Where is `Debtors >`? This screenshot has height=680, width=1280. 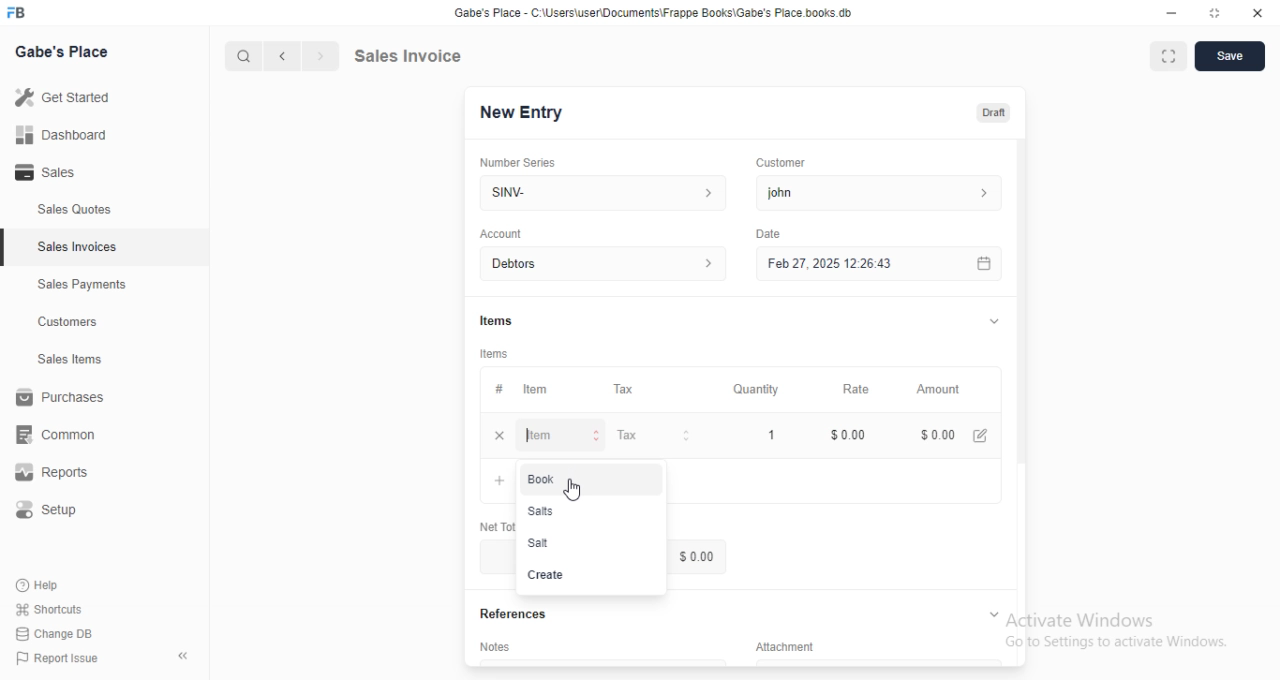 Debtors > is located at coordinates (599, 263).